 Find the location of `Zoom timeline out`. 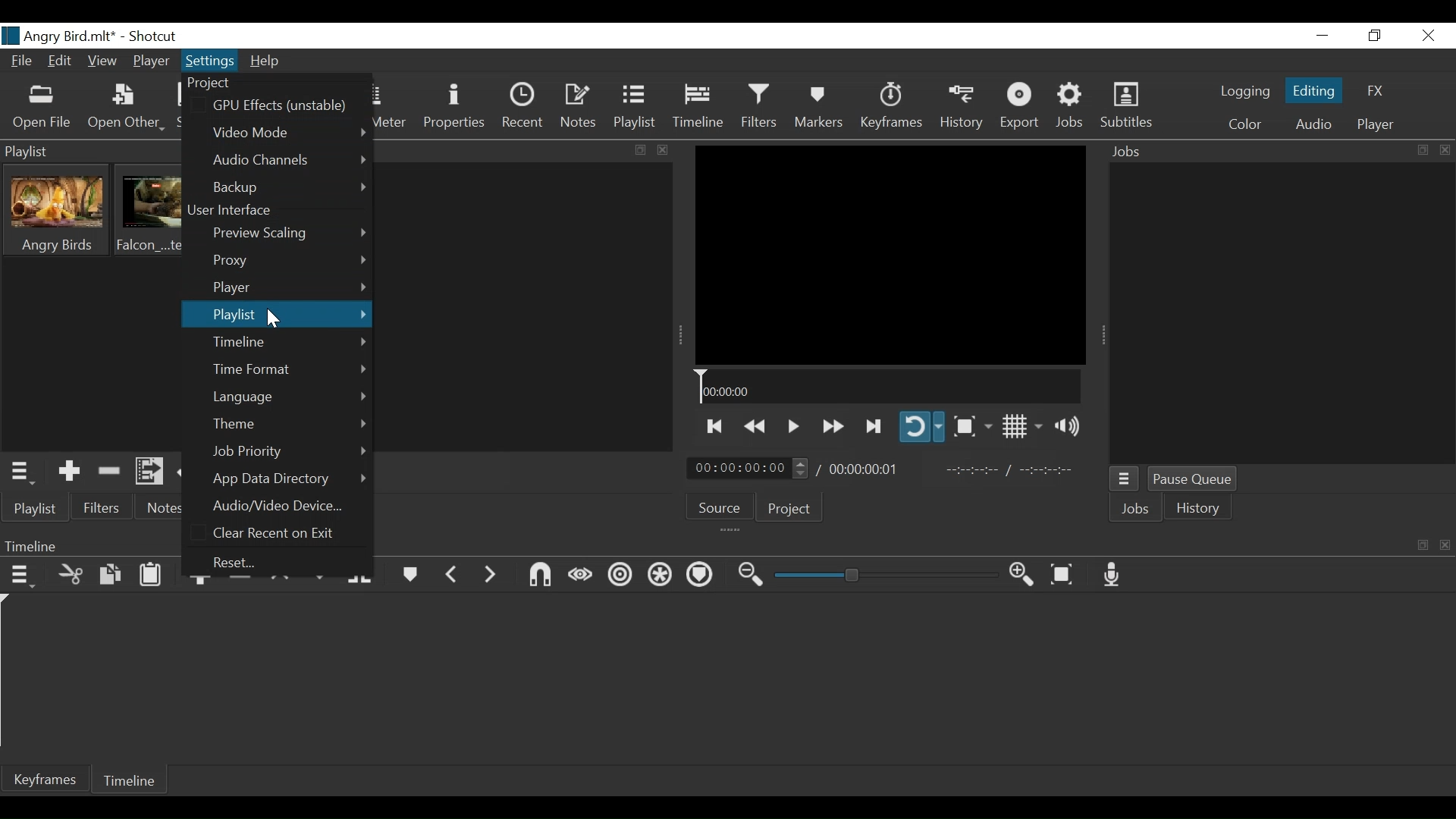

Zoom timeline out is located at coordinates (750, 578).